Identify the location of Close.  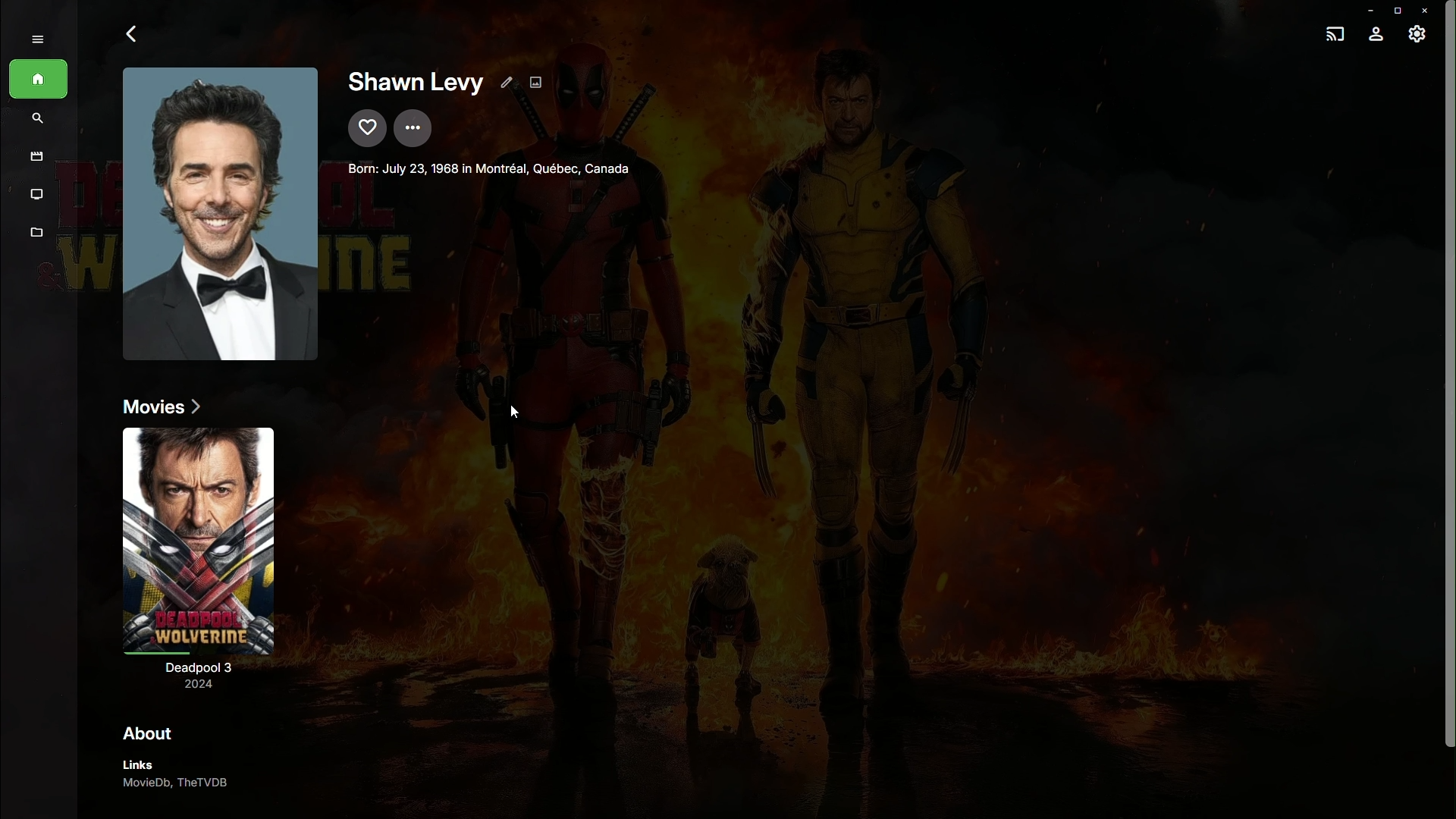
(1426, 10).